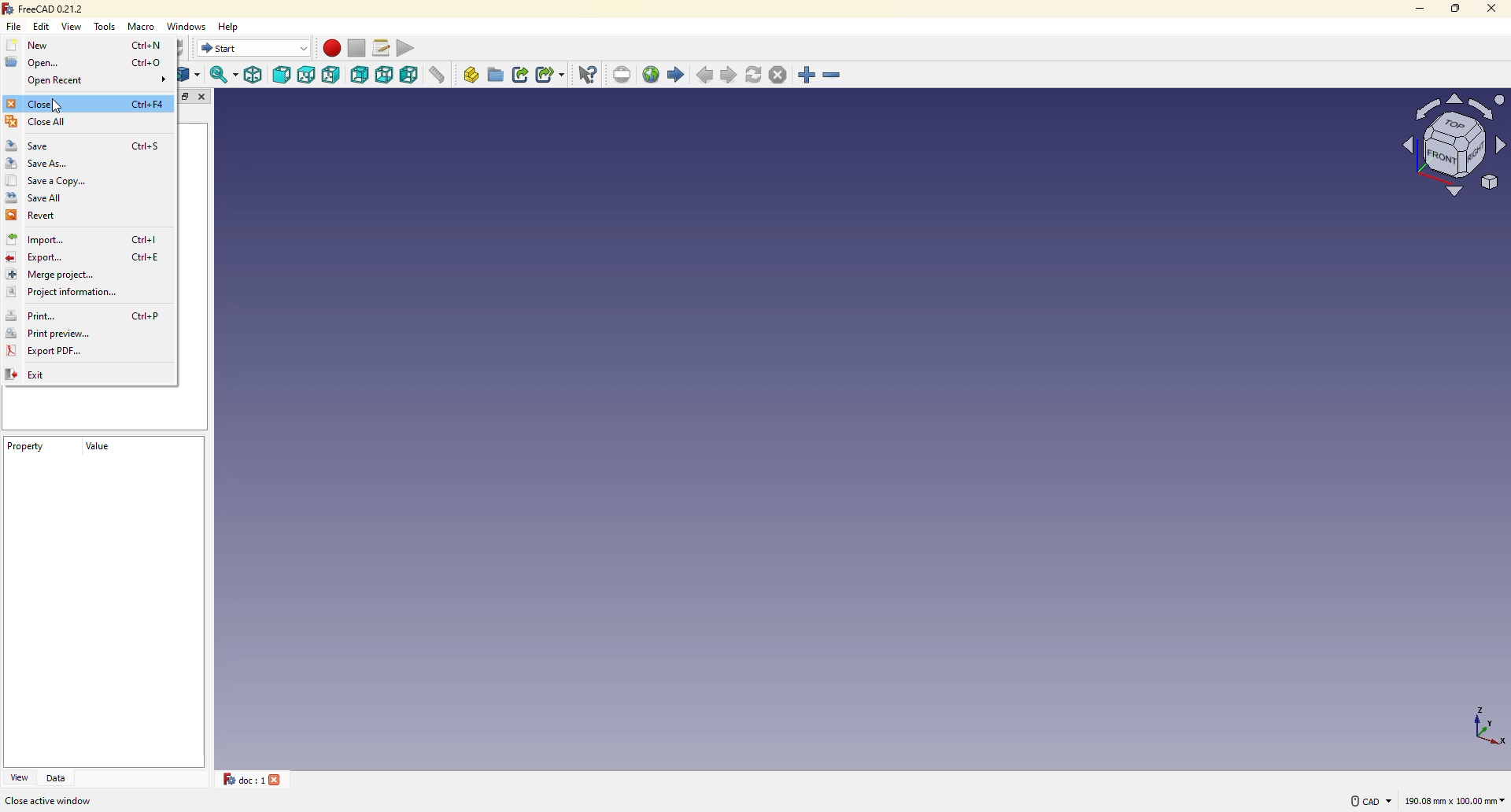  Describe the element at coordinates (254, 75) in the screenshot. I see `isometric` at that location.